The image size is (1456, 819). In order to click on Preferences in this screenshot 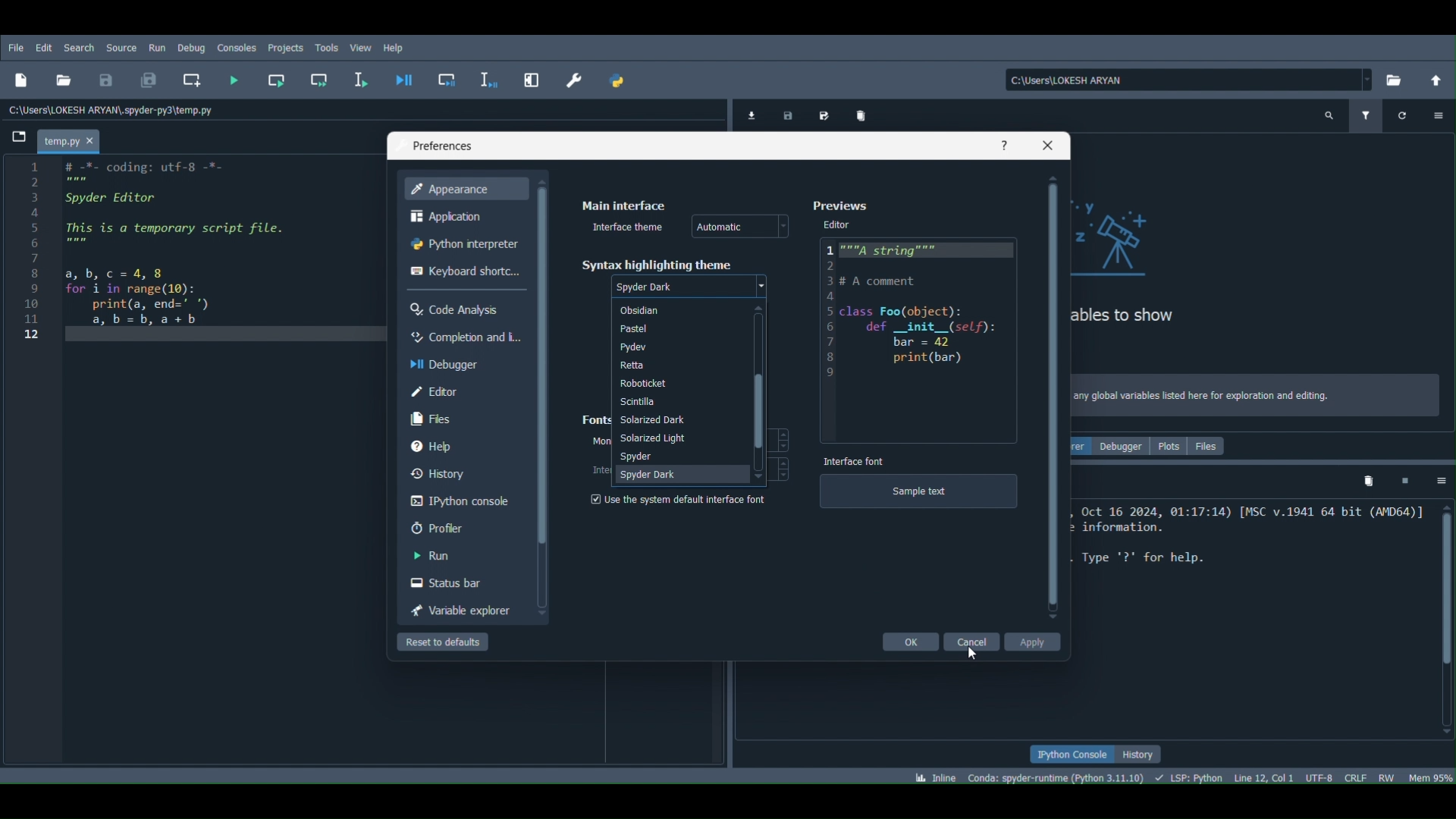, I will do `click(438, 145)`.